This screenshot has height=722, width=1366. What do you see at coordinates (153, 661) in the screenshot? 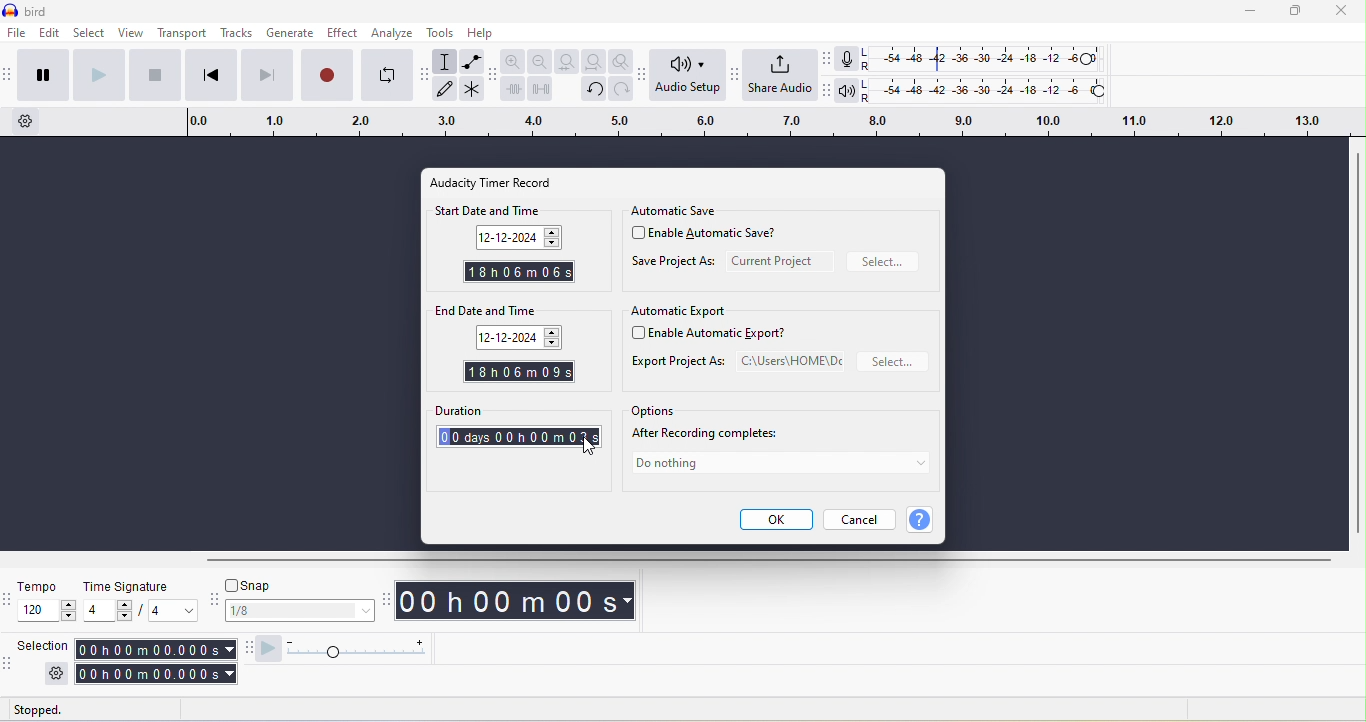
I see `selection` at bounding box center [153, 661].